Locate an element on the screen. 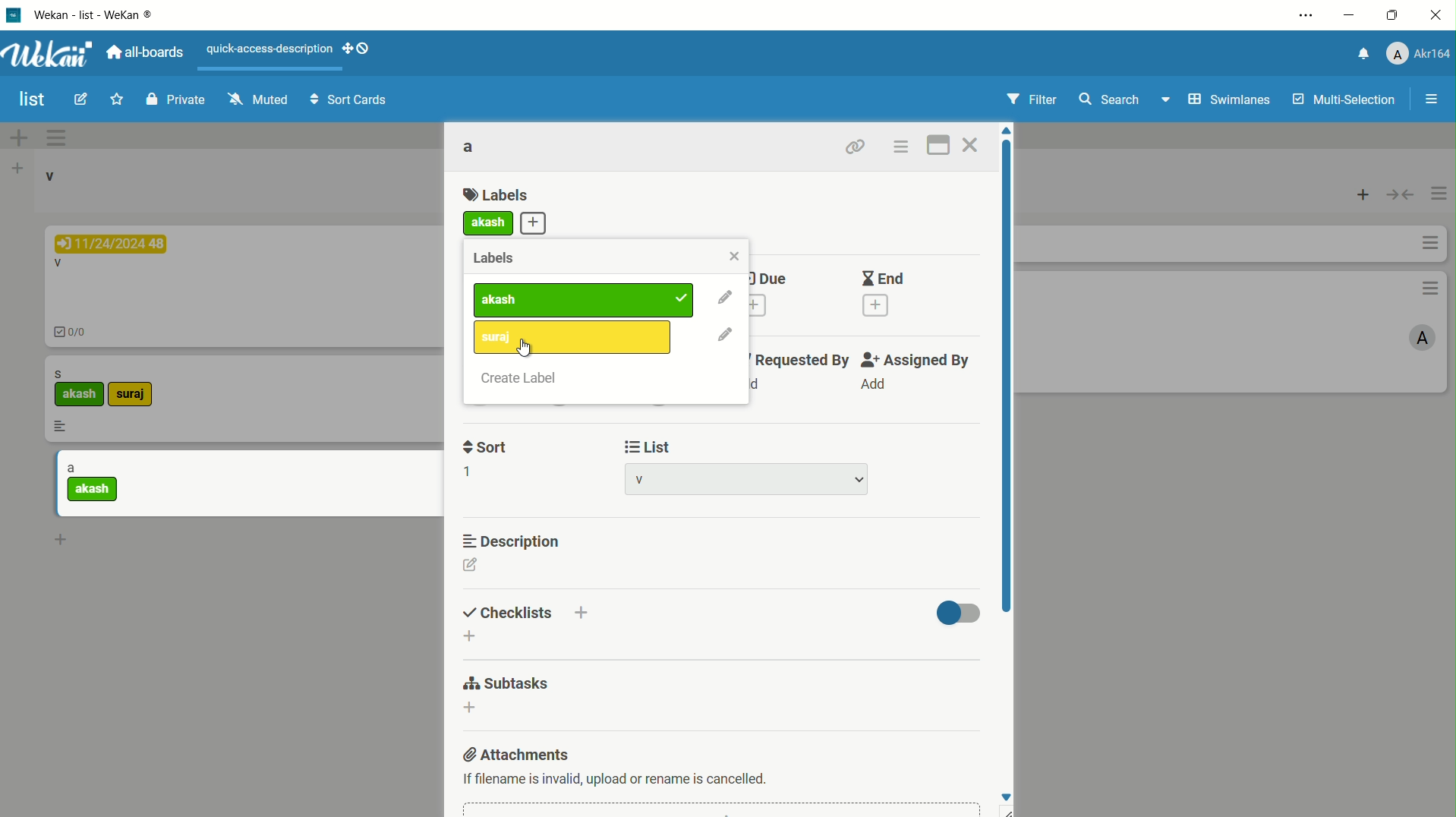  settings and more is located at coordinates (1303, 17).